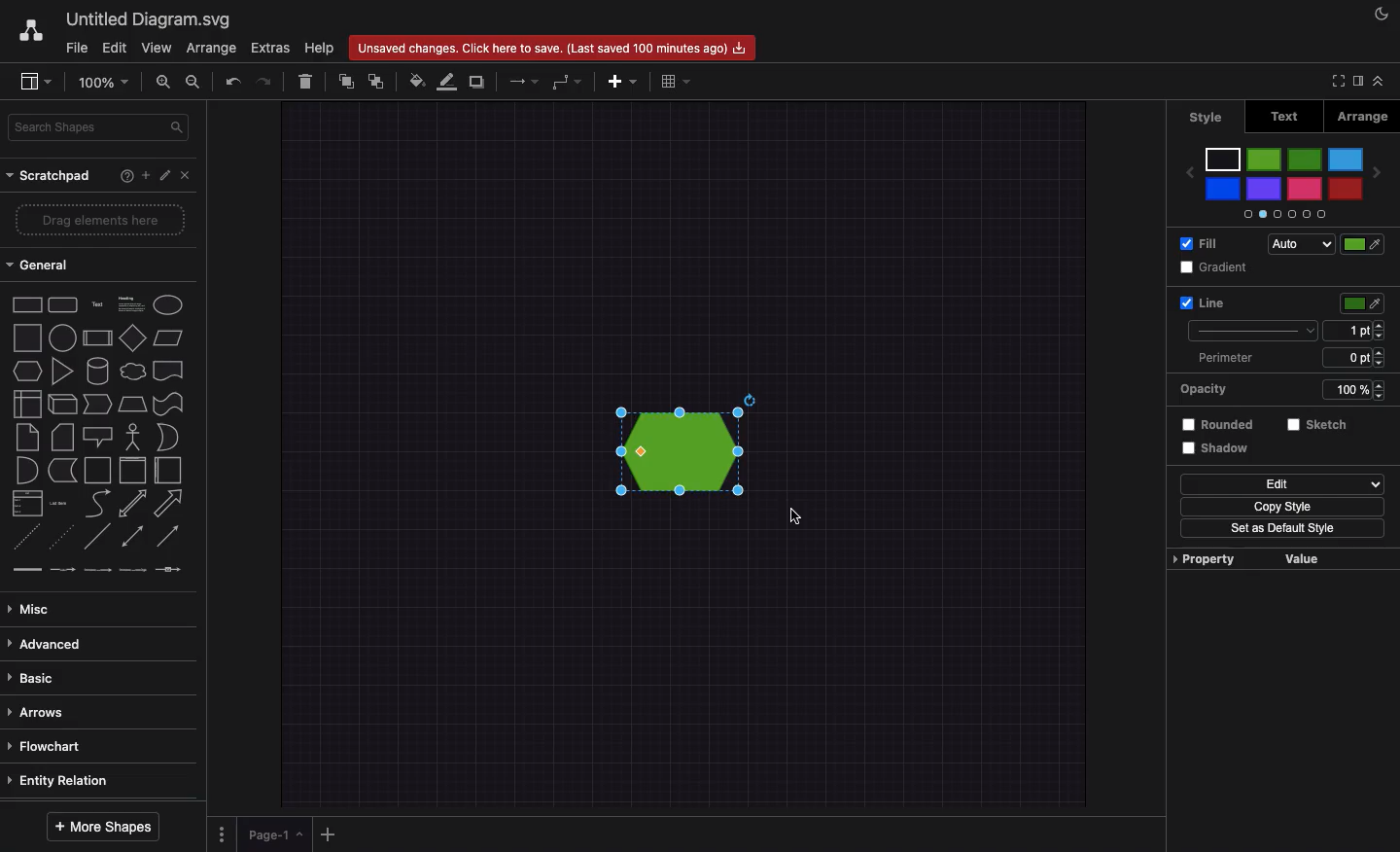  I want to click on Add, so click(329, 834).